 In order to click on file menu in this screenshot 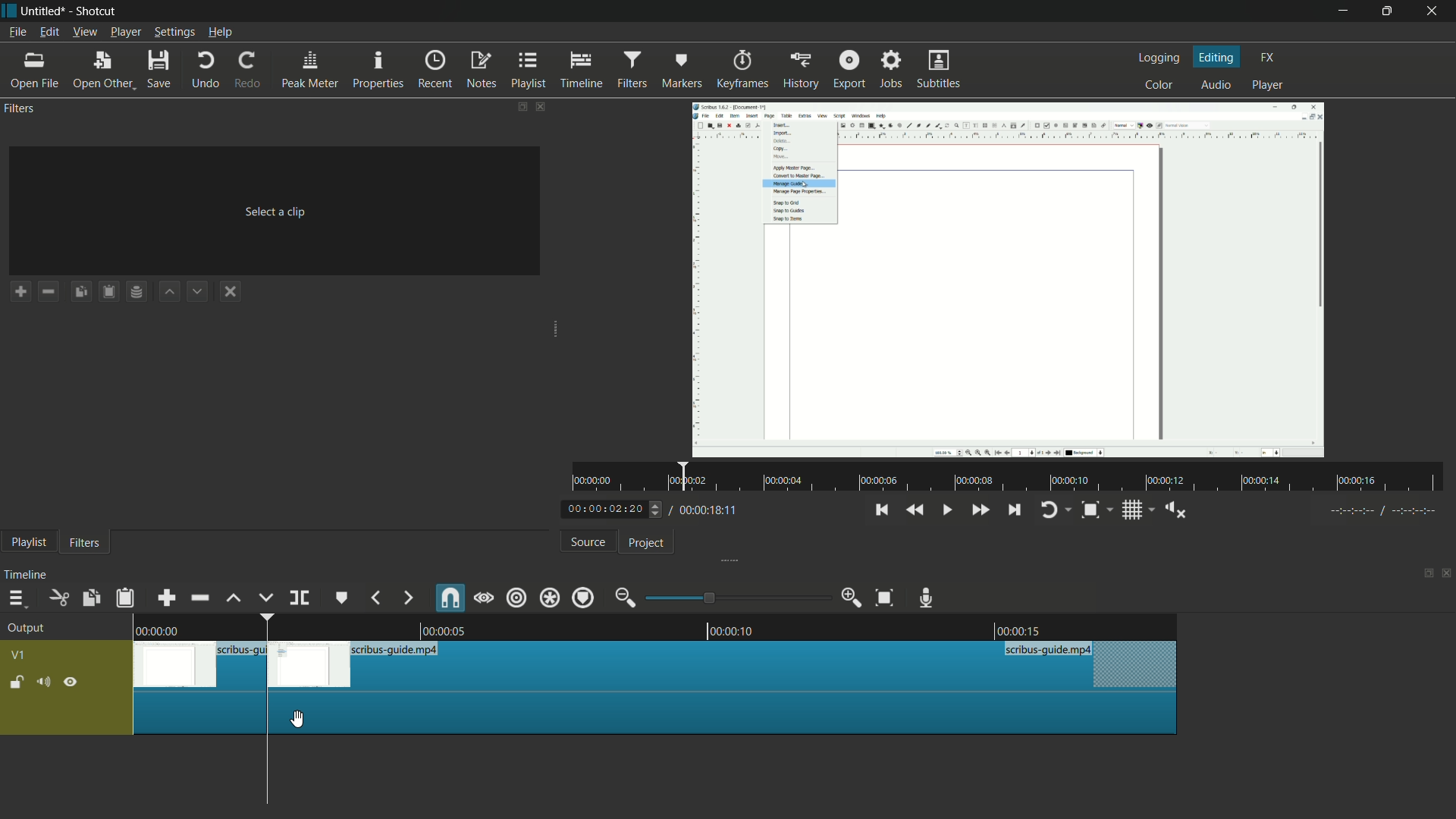, I will do `click(17, 32)`.